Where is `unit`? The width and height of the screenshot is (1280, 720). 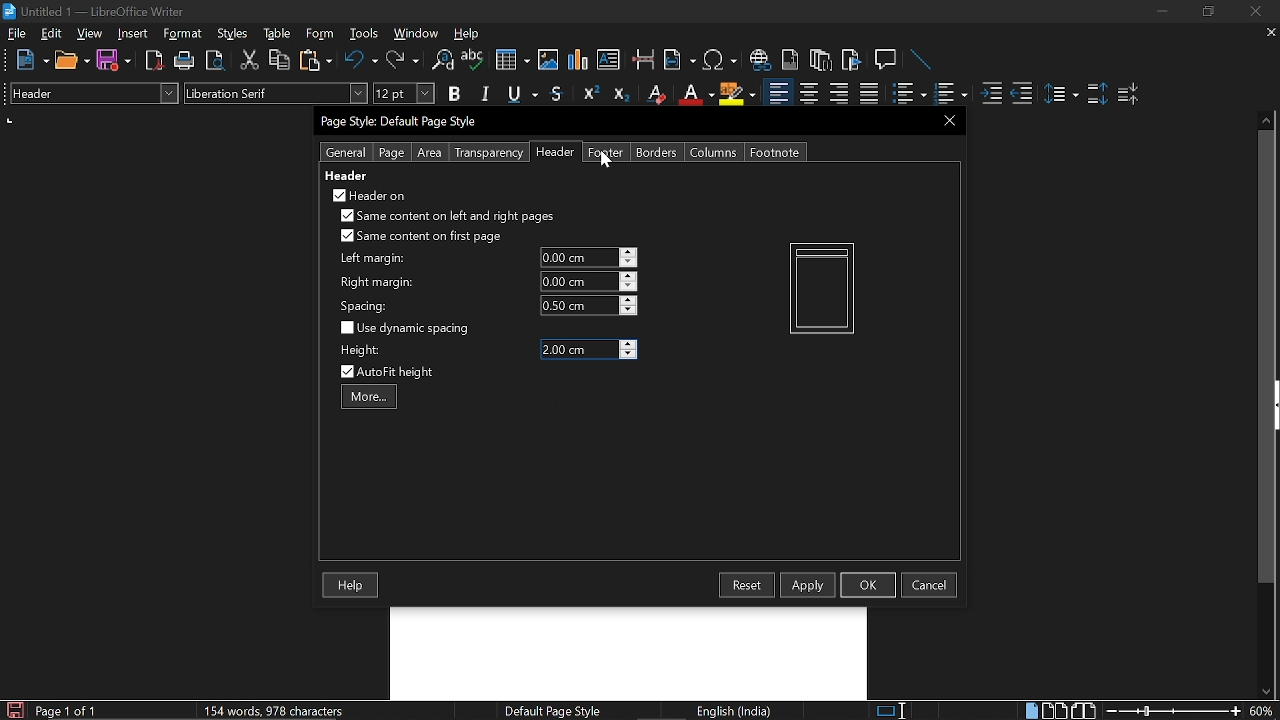 unit is located at coordinates (10, 120).